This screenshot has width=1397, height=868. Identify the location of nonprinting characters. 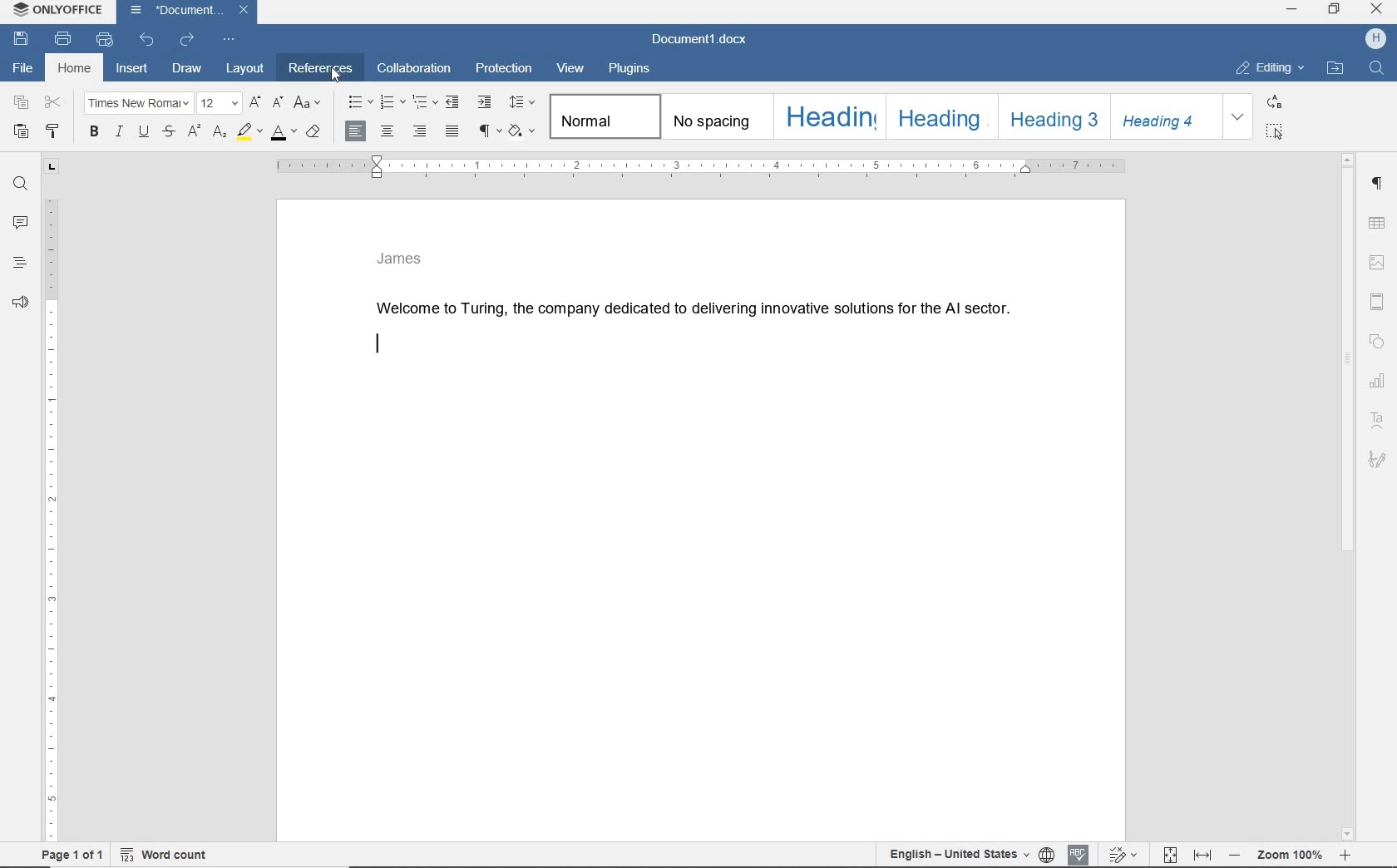
(487, 131).